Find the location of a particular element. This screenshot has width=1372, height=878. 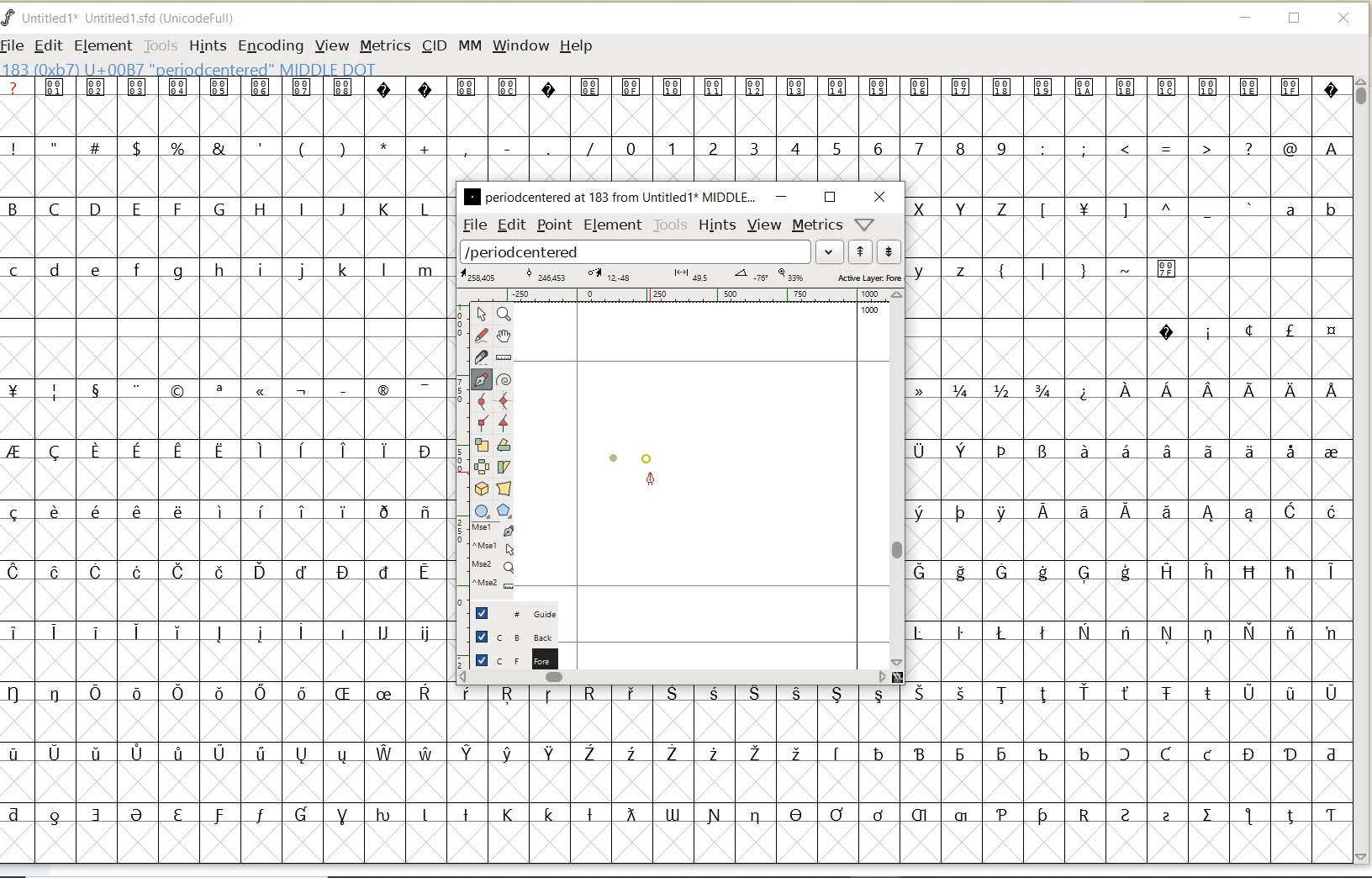

CLOSE is located at coordinates (1345, 19).